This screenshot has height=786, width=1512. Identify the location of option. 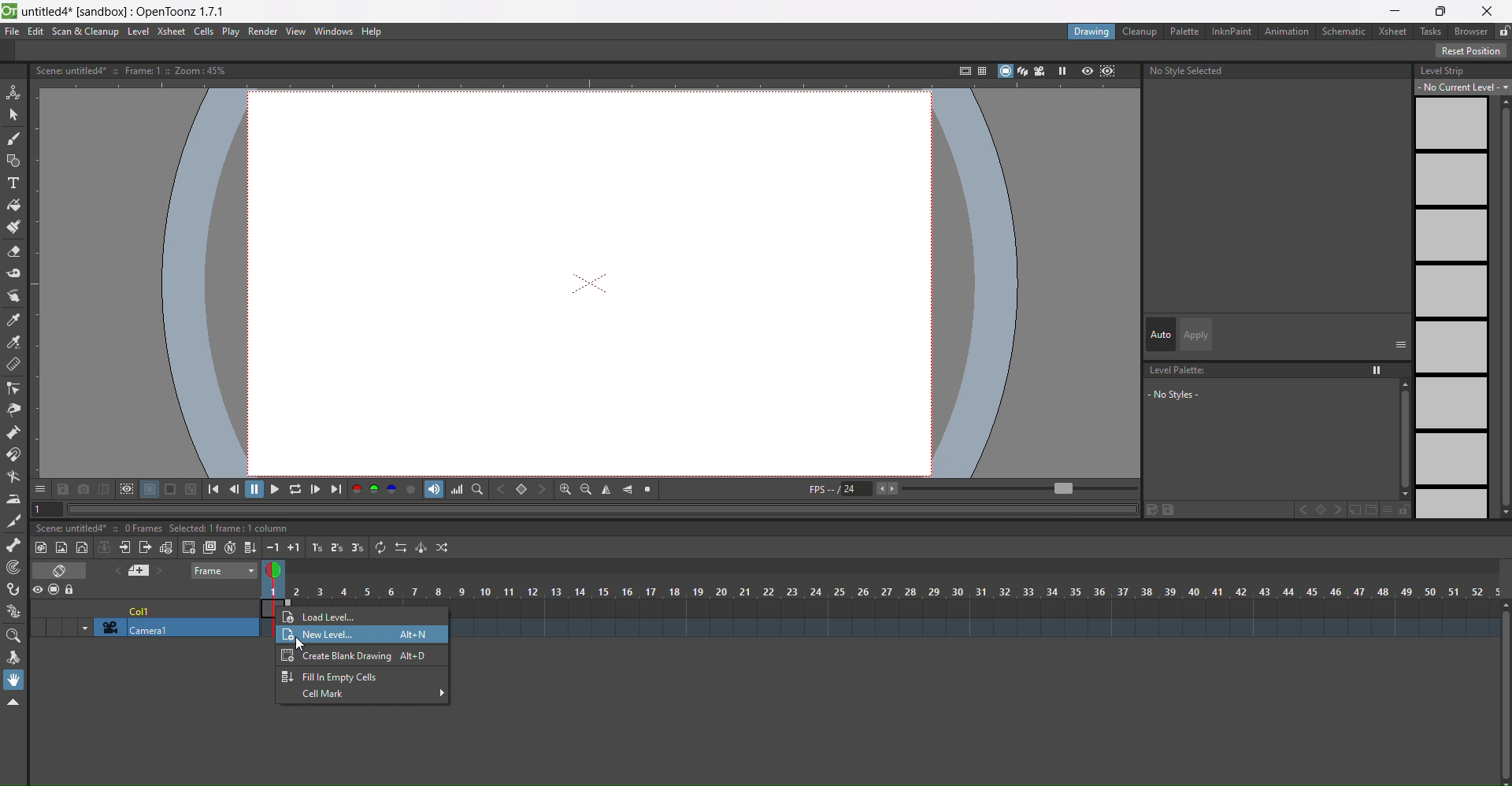
(1378, 370).